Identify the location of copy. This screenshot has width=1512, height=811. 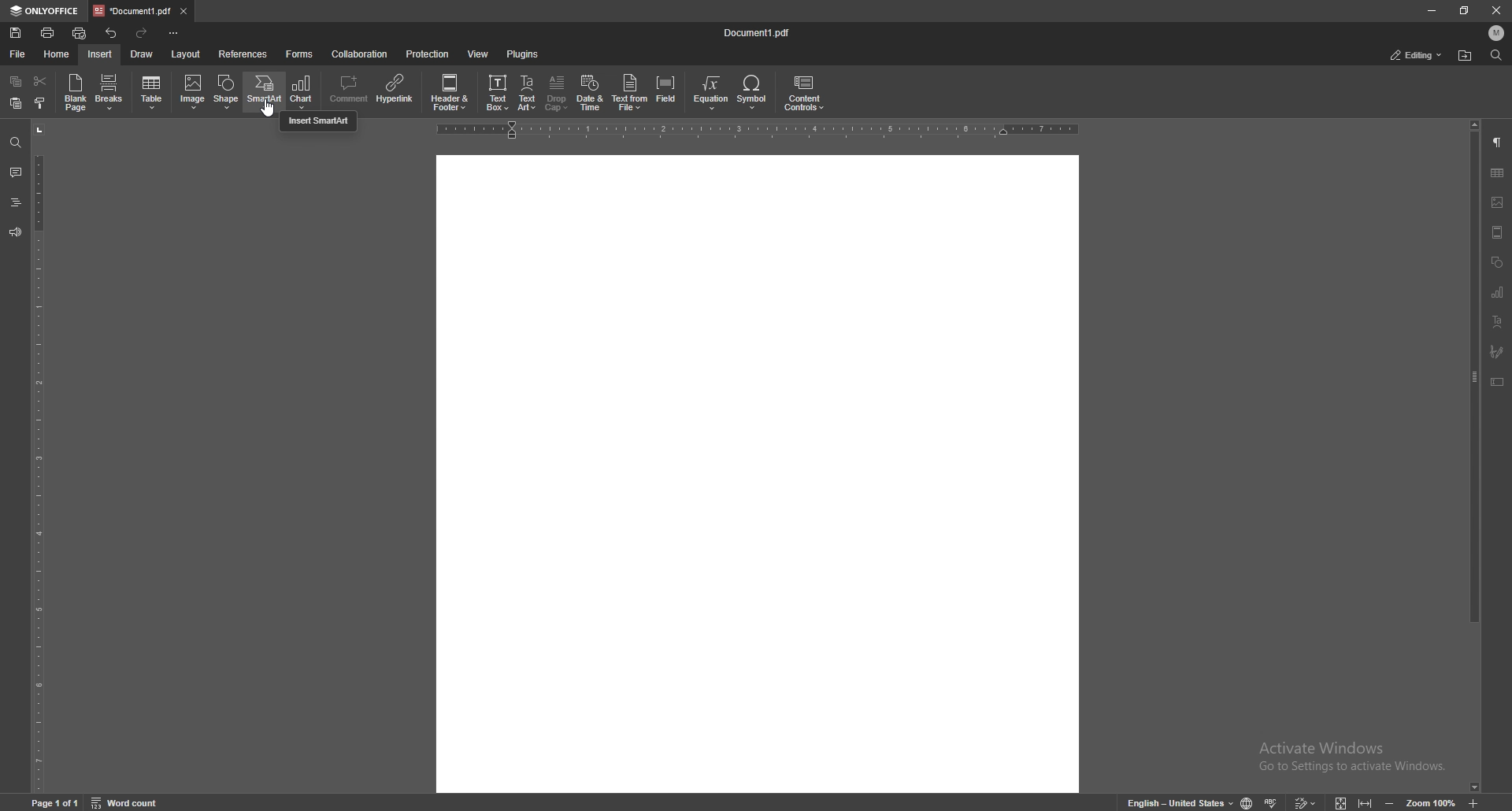
(16, 81).